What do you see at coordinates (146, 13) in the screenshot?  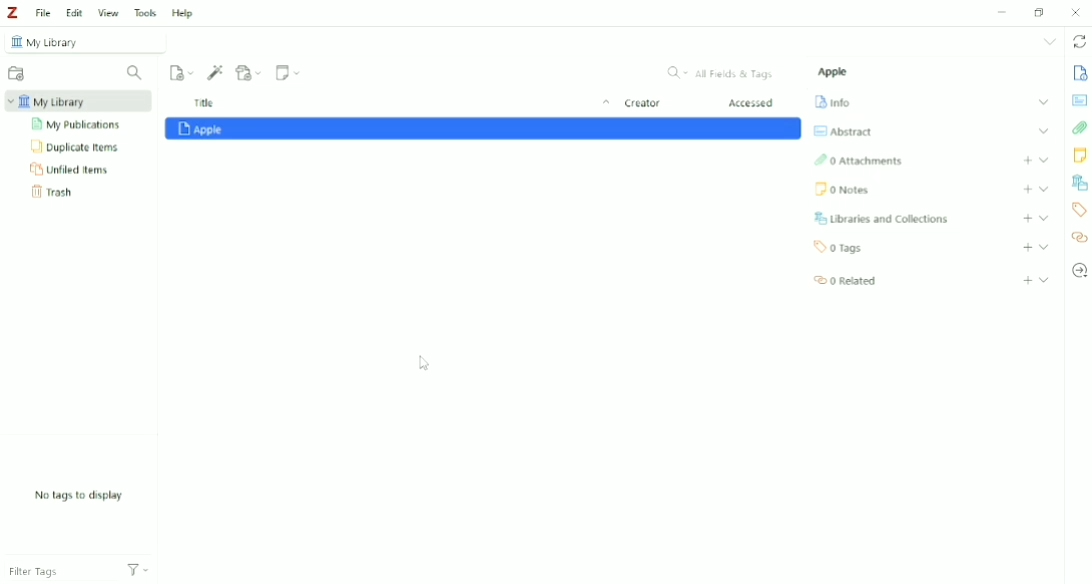 I see `Tools` at bounding box center [146, 13].